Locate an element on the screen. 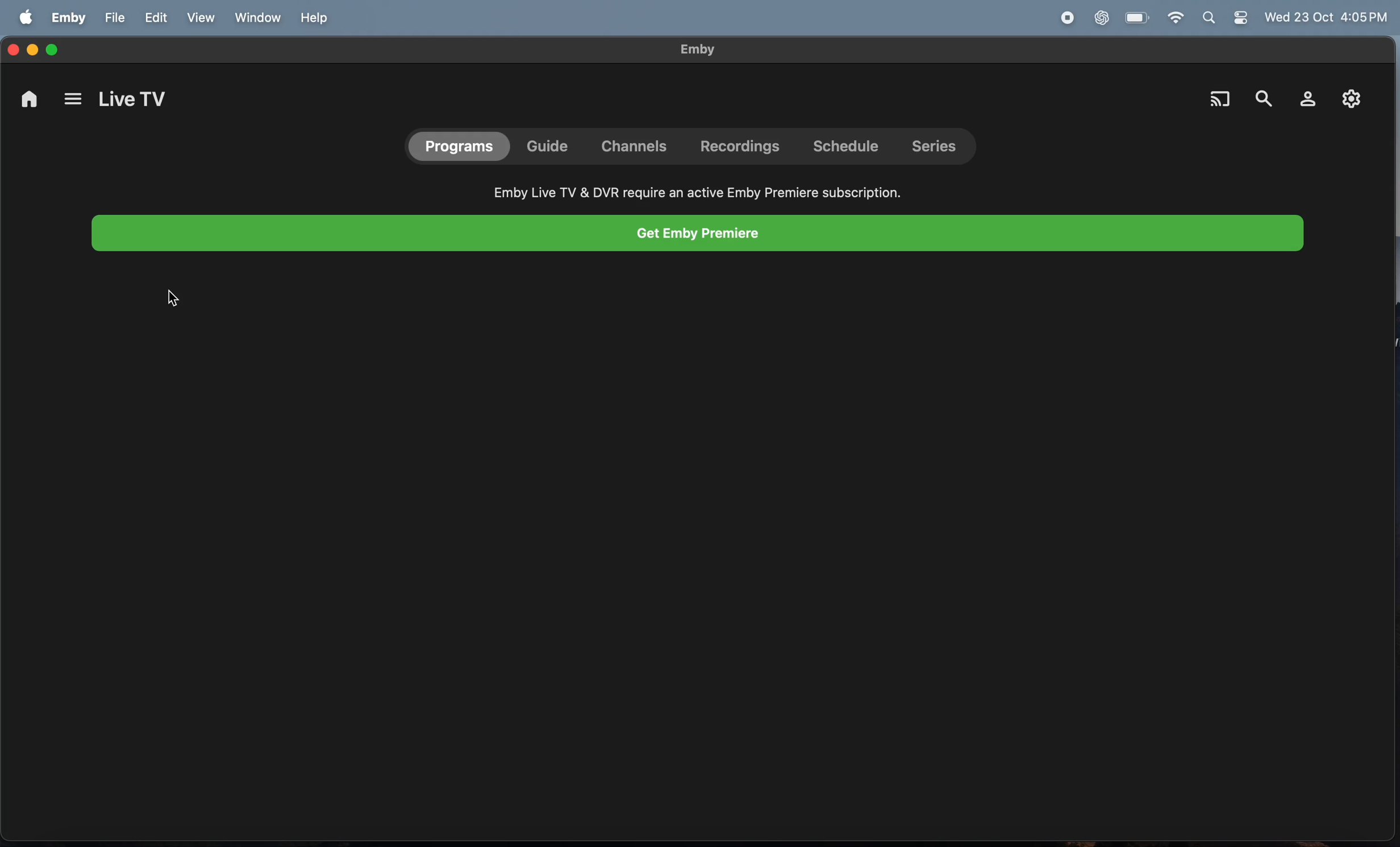 The width and height of the screenshot is (1400, 847). maximize is located at coordinates (56, 50).